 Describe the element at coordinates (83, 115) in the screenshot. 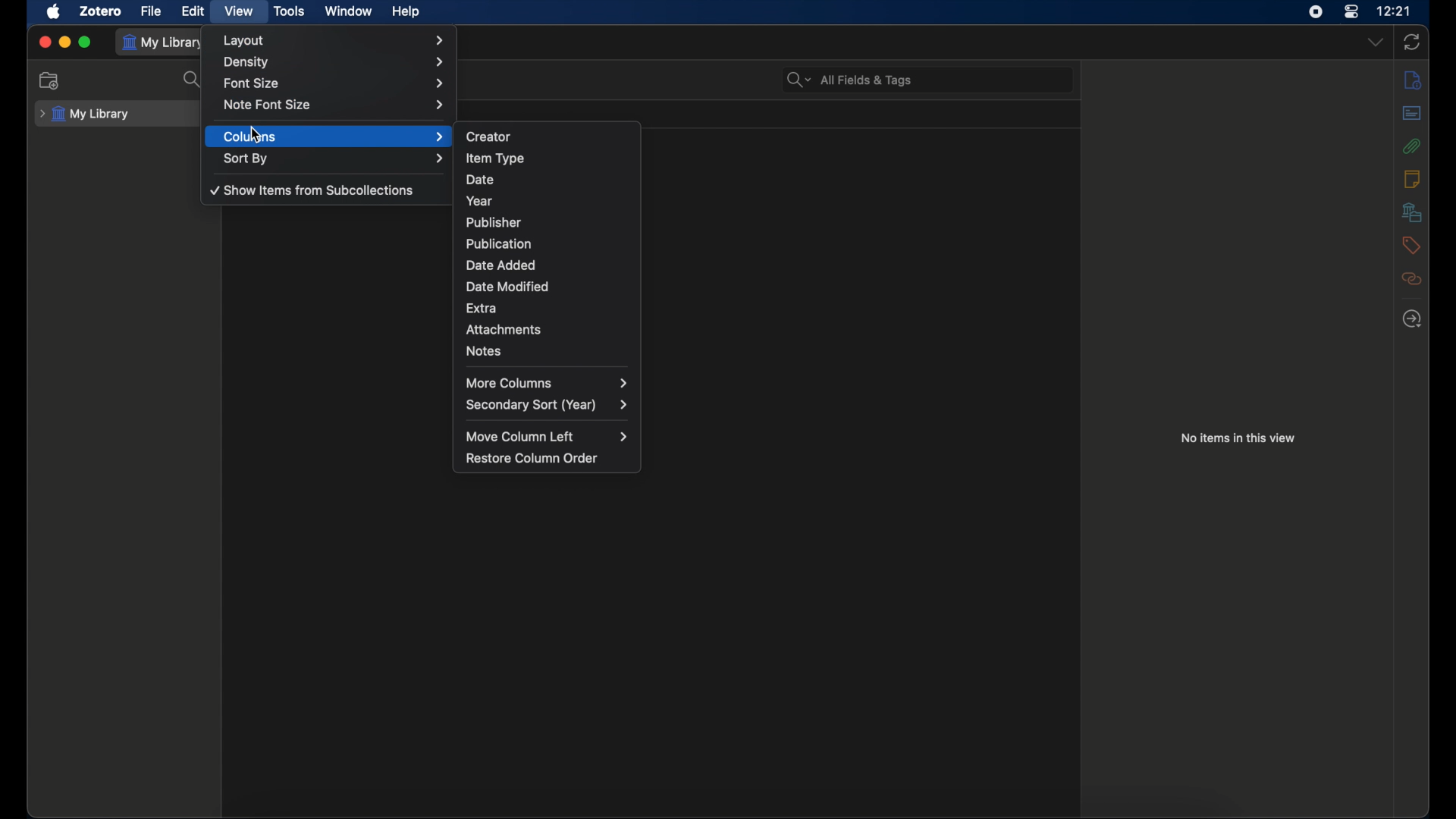

I see `my library` at that location.